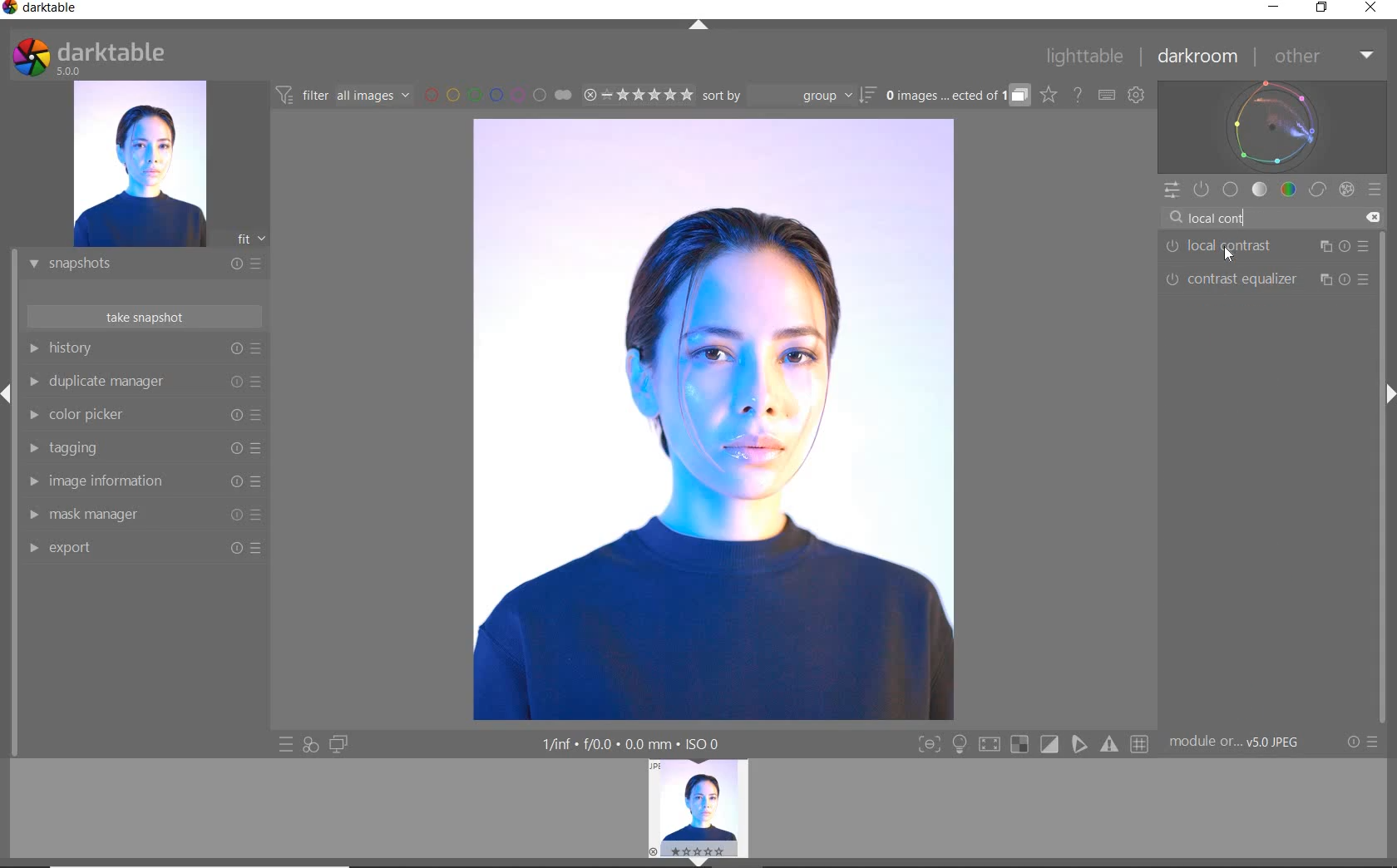 This screenshot has width=1397, height=868. Describe the element at coordinates (139, 547) in the screenshot. I see `EXPORT` at that location.